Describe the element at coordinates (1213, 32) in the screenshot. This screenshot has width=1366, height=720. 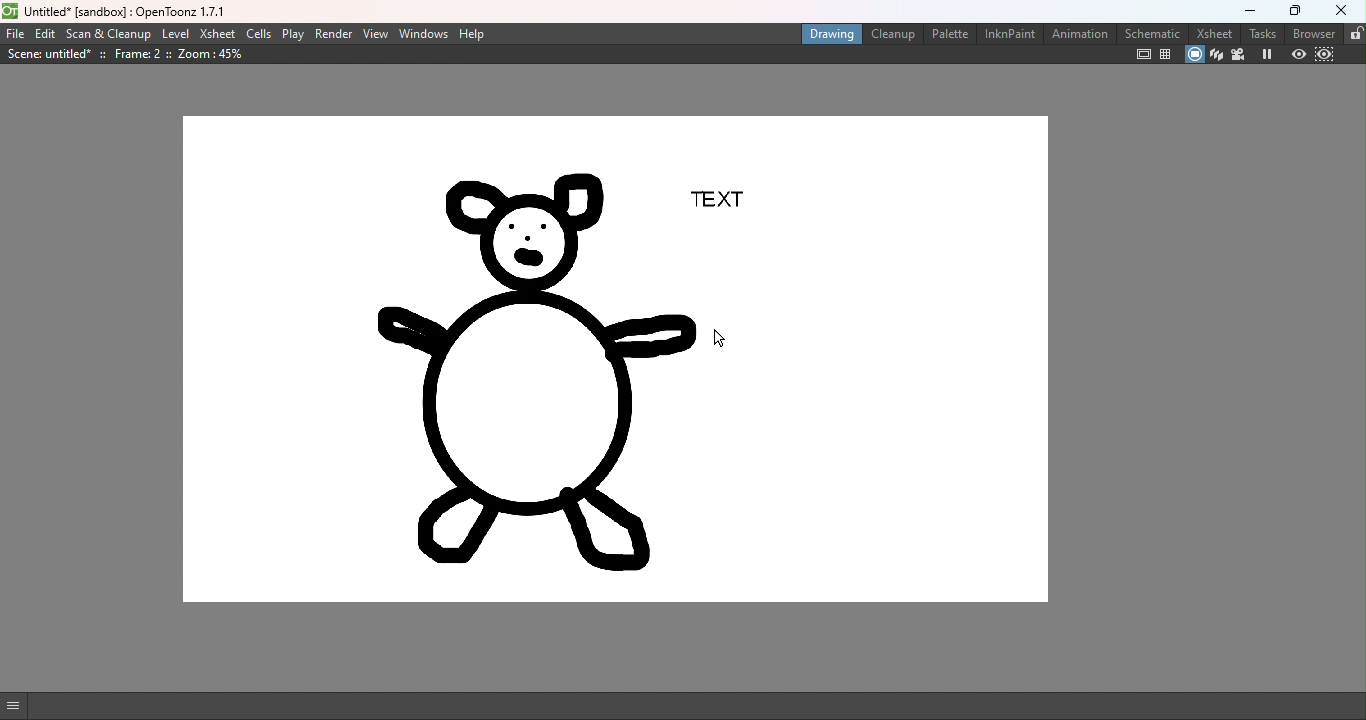
I see `Xsheet` at that location.